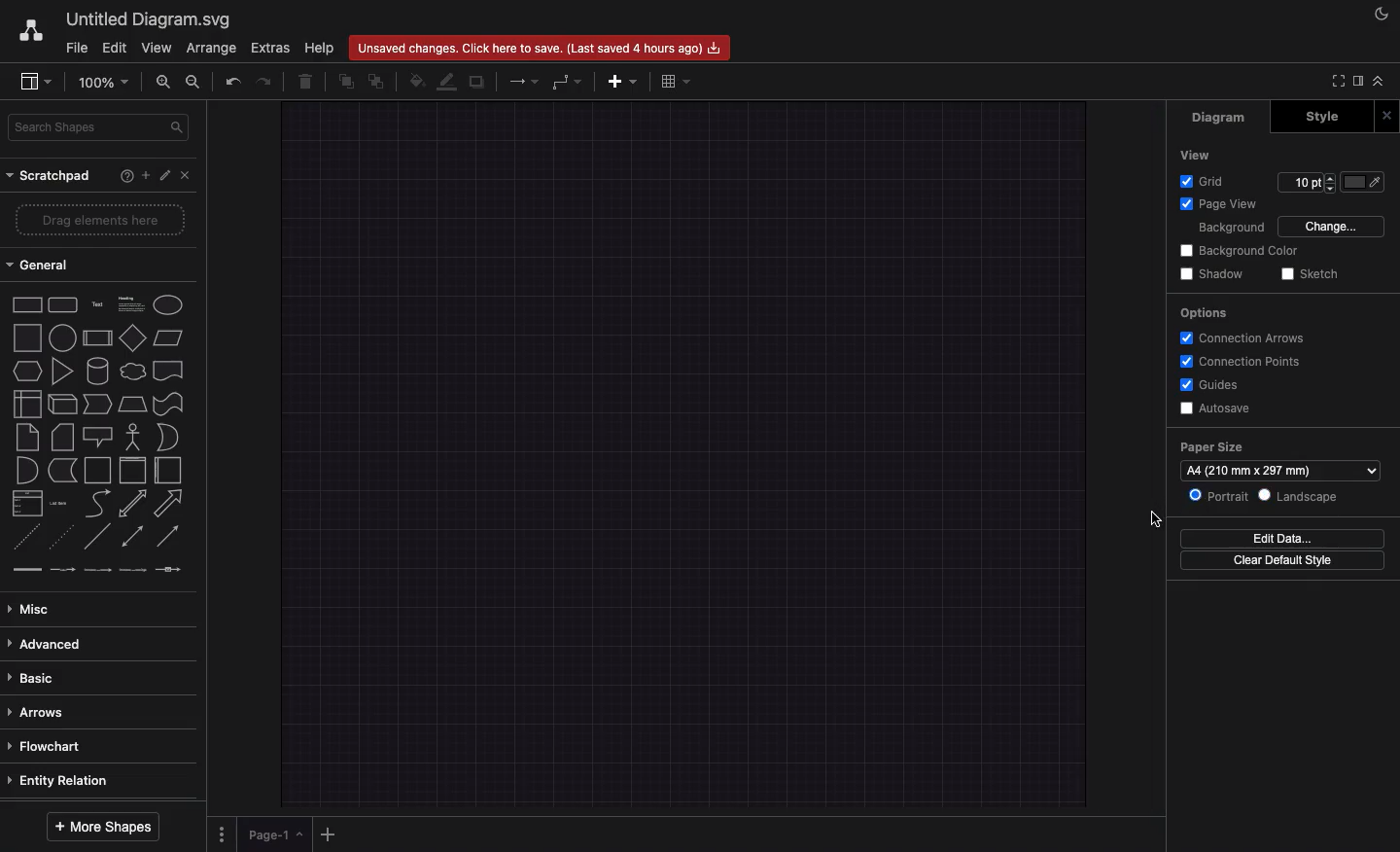  What do you see at coordinates (164, 175) in the screenshot?
I see `Tools` at bounding box center [164, 175].